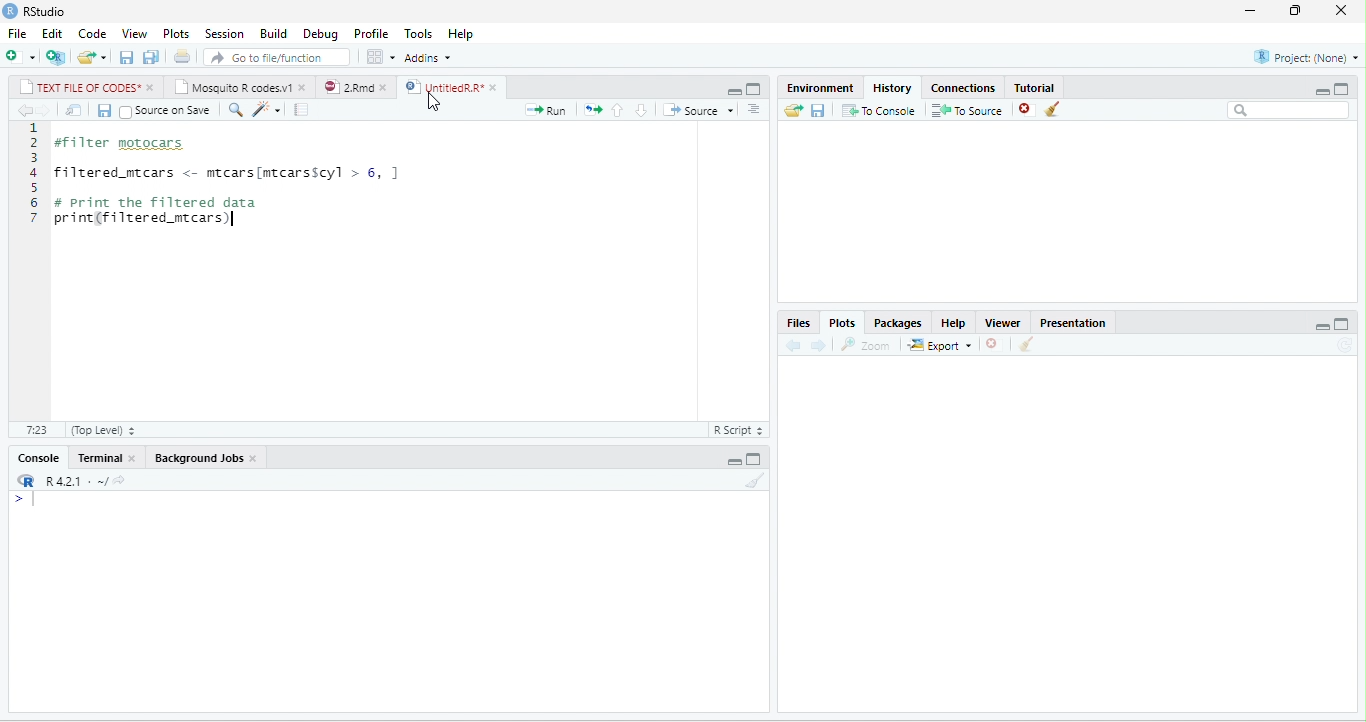 The width and height of the screenshot is (1366, 722). Describe the element at coordinates (418, 34) in the screenshot. I see `Tools` at that location.